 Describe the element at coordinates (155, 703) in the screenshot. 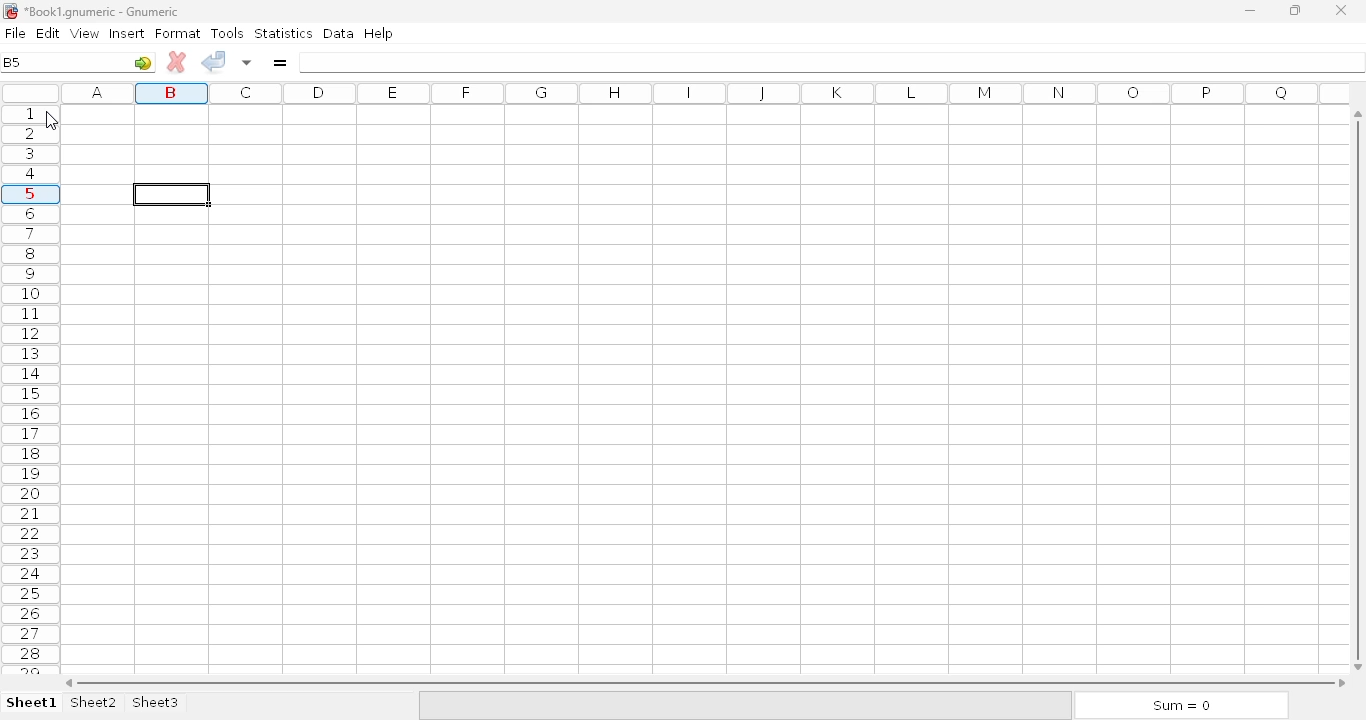

I see `sheet3` at that location.